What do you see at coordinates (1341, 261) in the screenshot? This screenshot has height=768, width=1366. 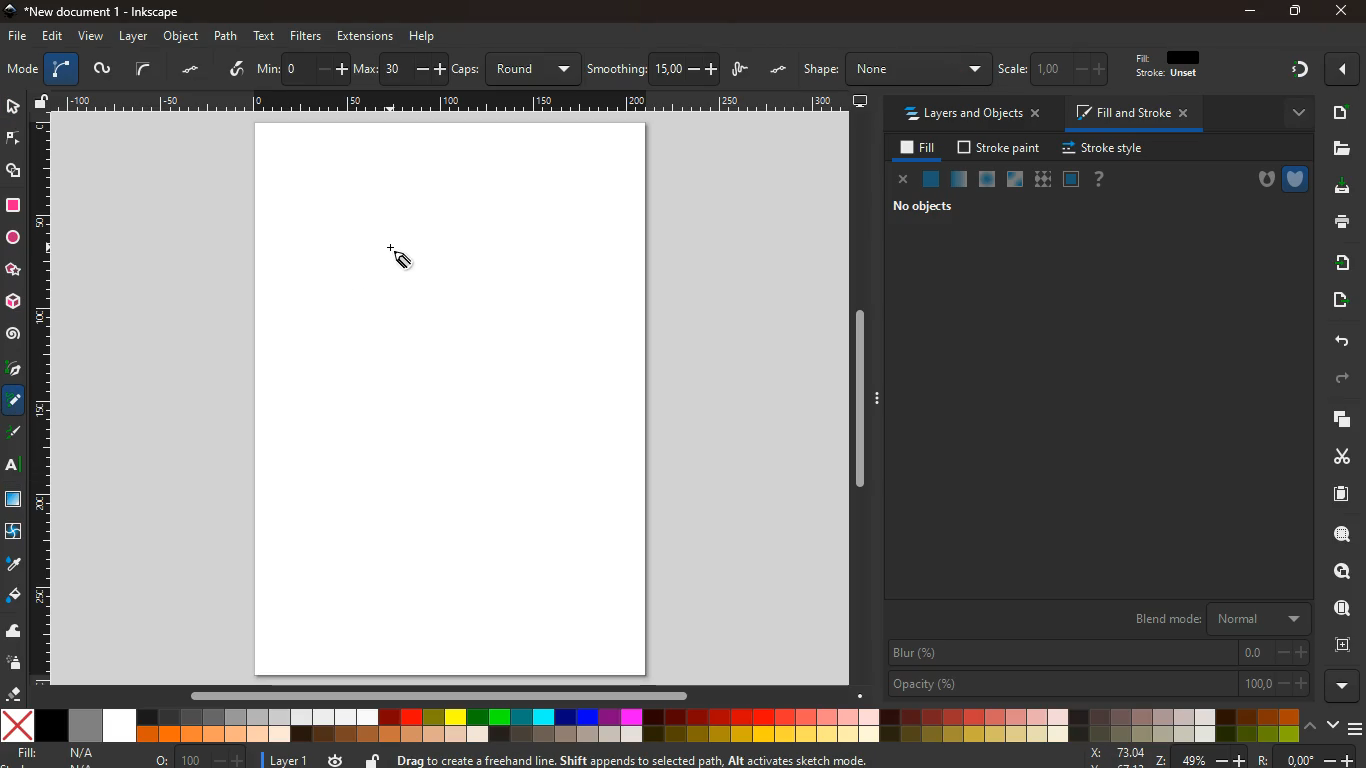 I see `receive` at bounding box center [1341, 261].